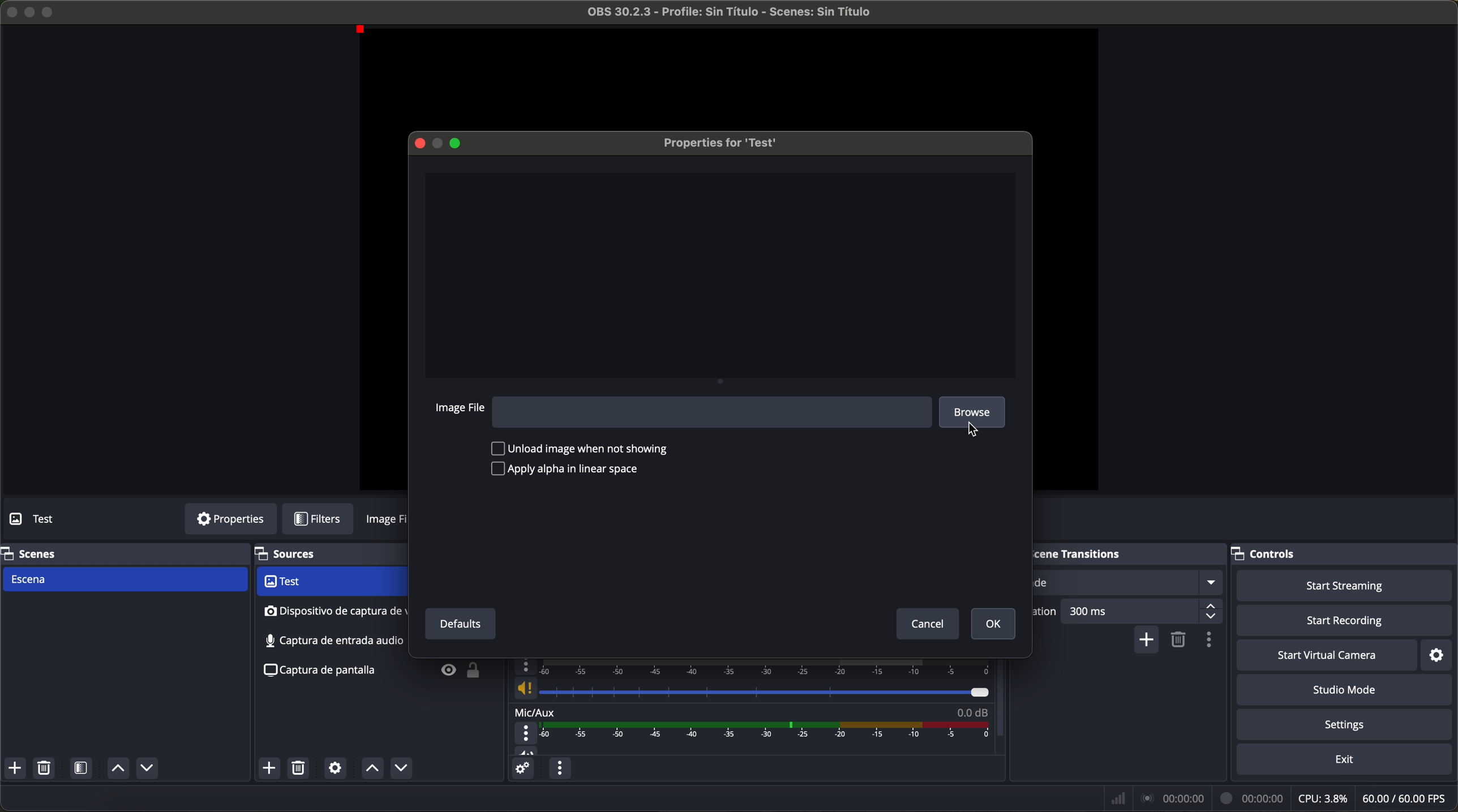  What do you see at coordinates (15, 768) in the screenshot?
I see `add scene` at bounding box center [15, 768].